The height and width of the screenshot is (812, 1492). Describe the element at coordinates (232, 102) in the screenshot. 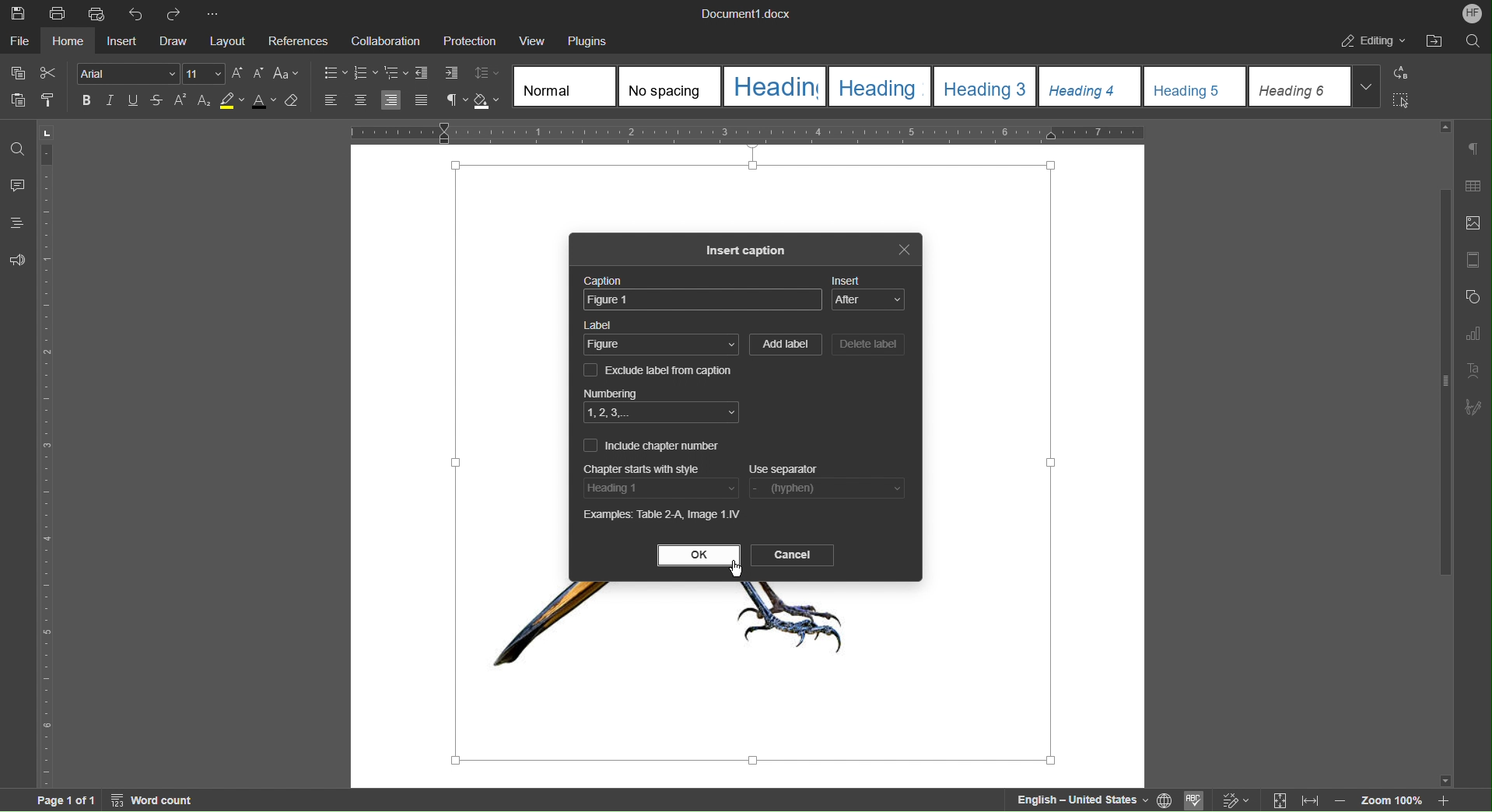

I see `Highlight` at that location.